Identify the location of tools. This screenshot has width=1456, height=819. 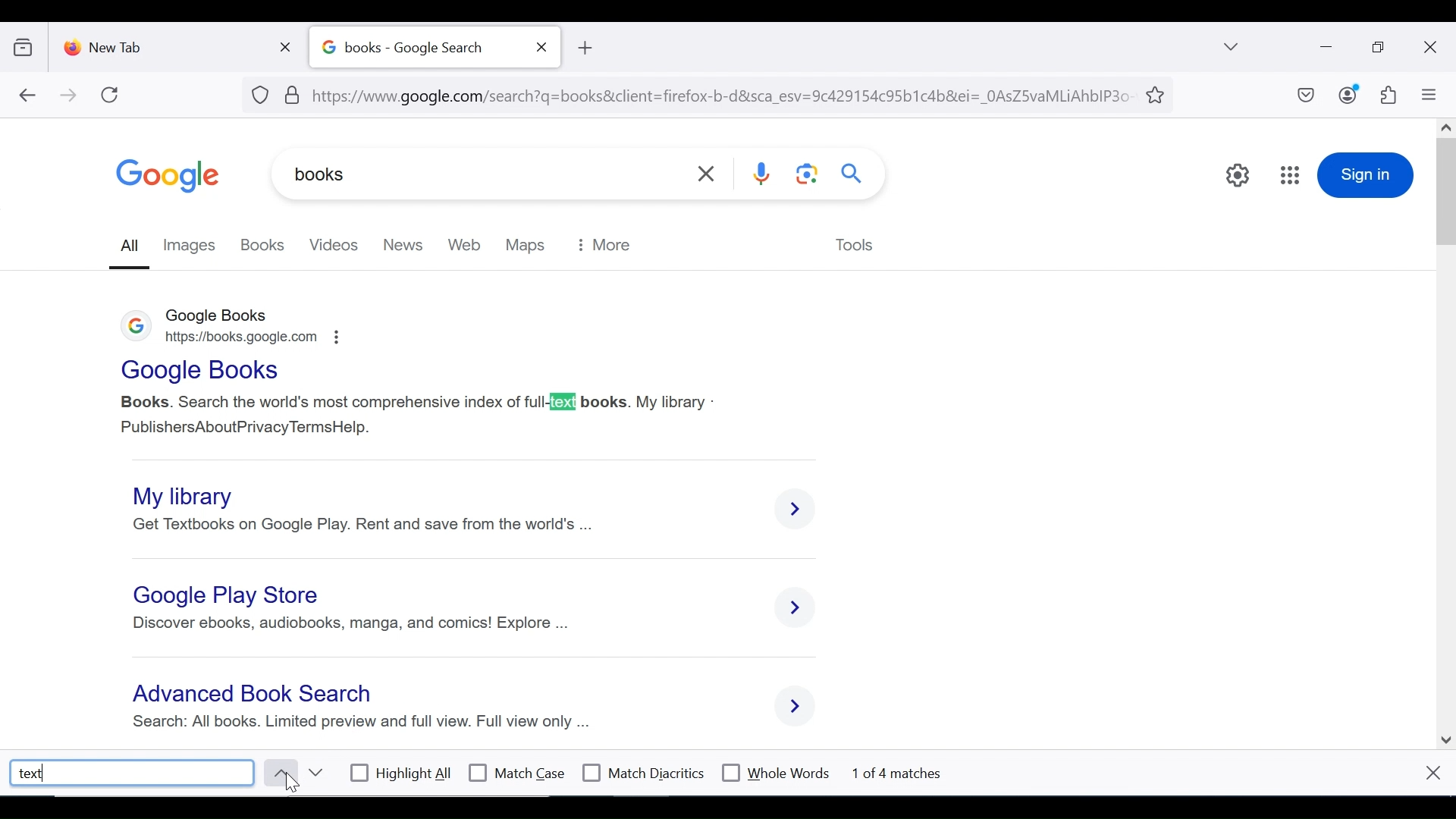
(855, 246).